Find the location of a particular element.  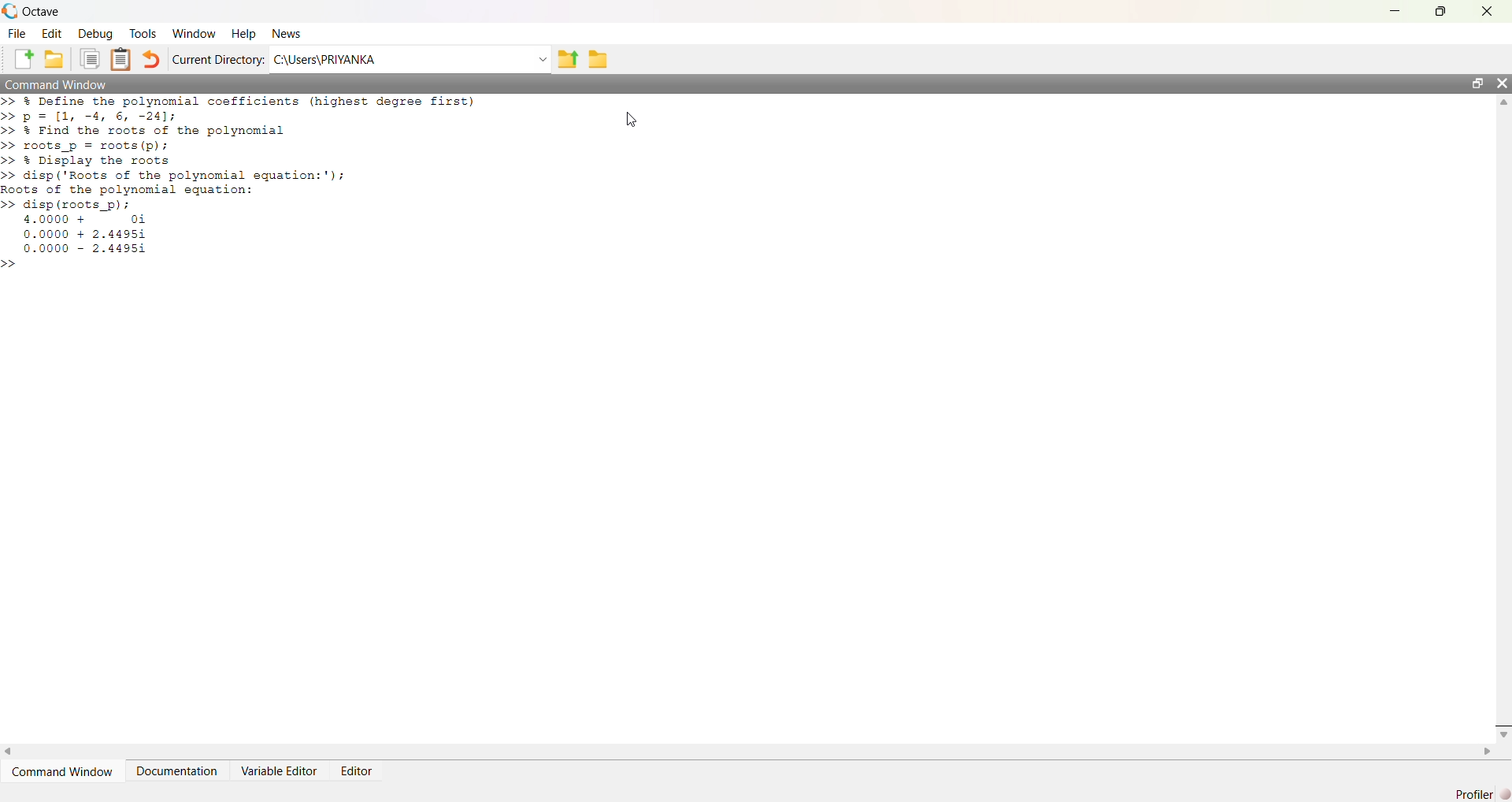

Editor is located at coordinates (359, 772).